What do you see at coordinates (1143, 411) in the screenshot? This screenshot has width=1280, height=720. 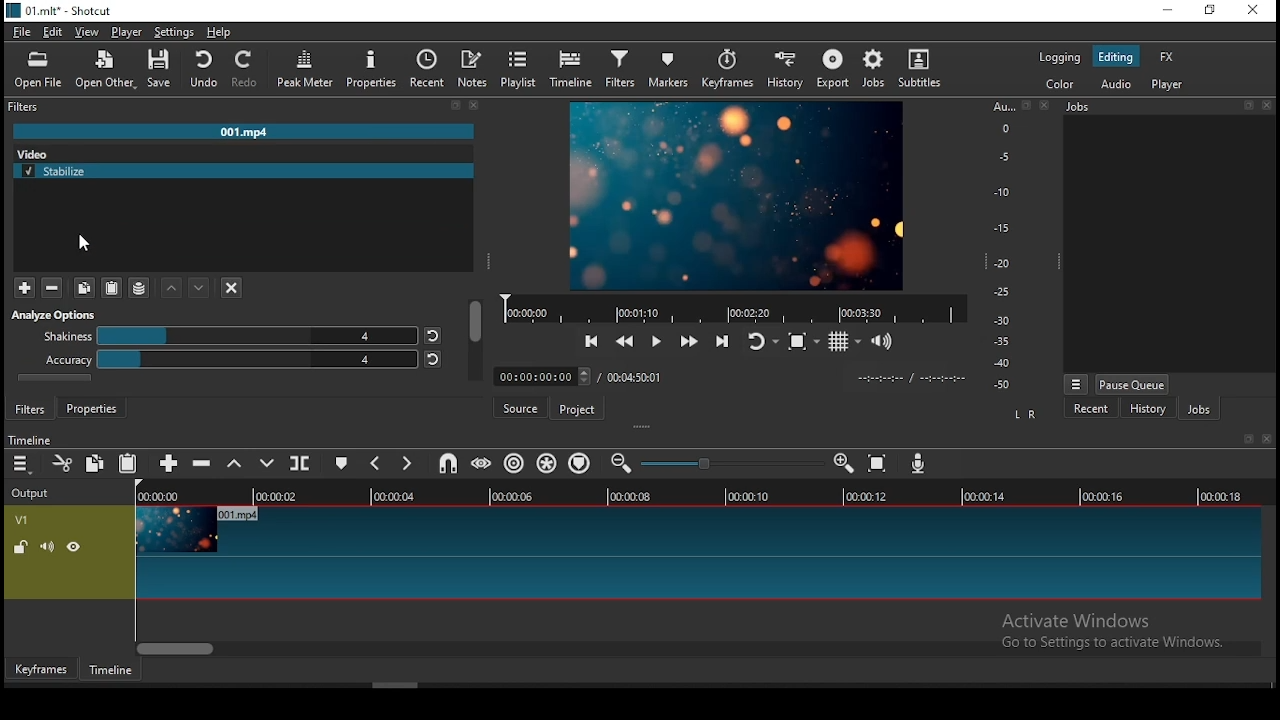 I see `history` at bounding box center [1143, 411].